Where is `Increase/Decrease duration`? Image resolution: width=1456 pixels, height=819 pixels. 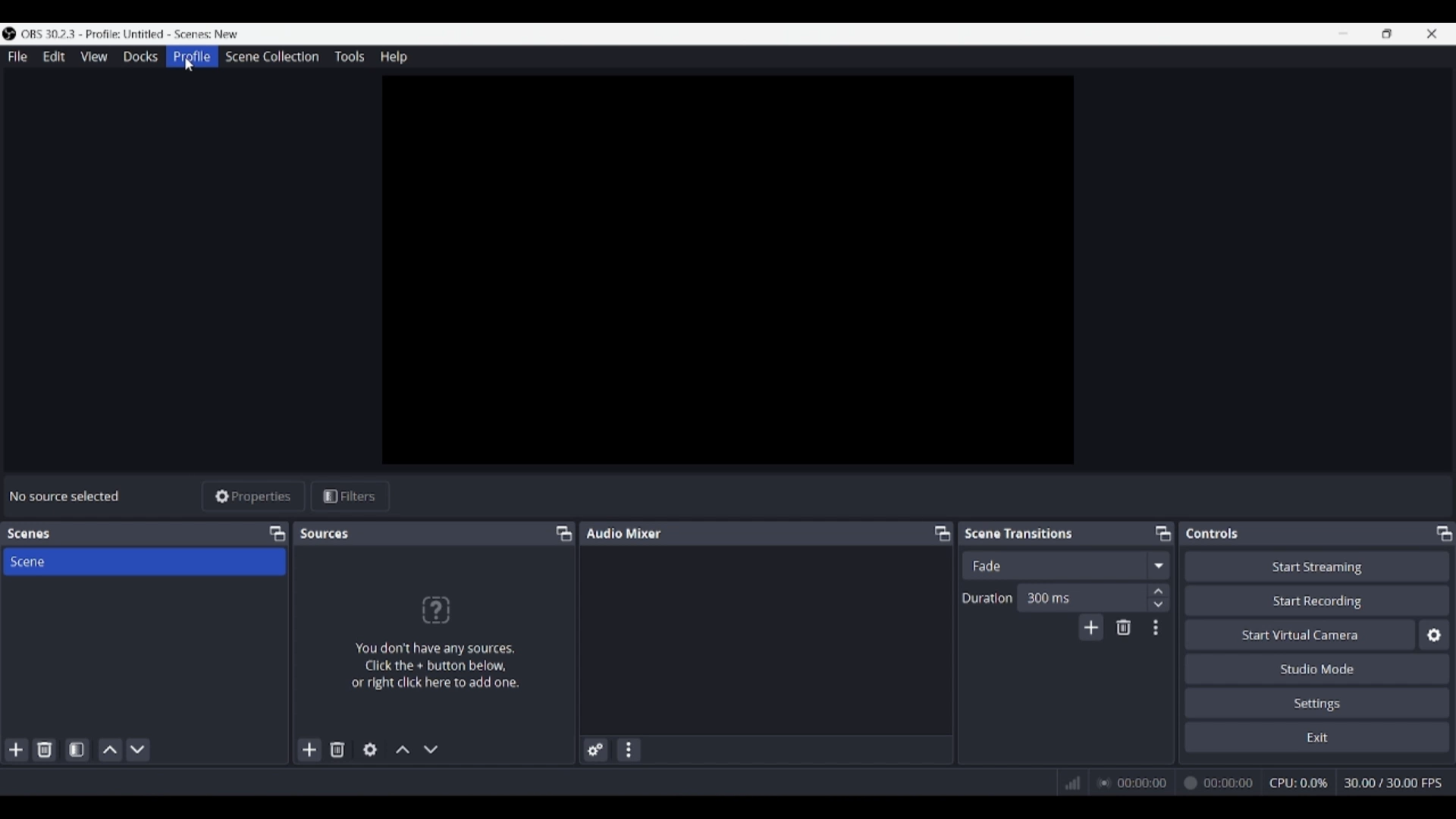
Increase/Decrease duration is located at coordinates (1159, 597).